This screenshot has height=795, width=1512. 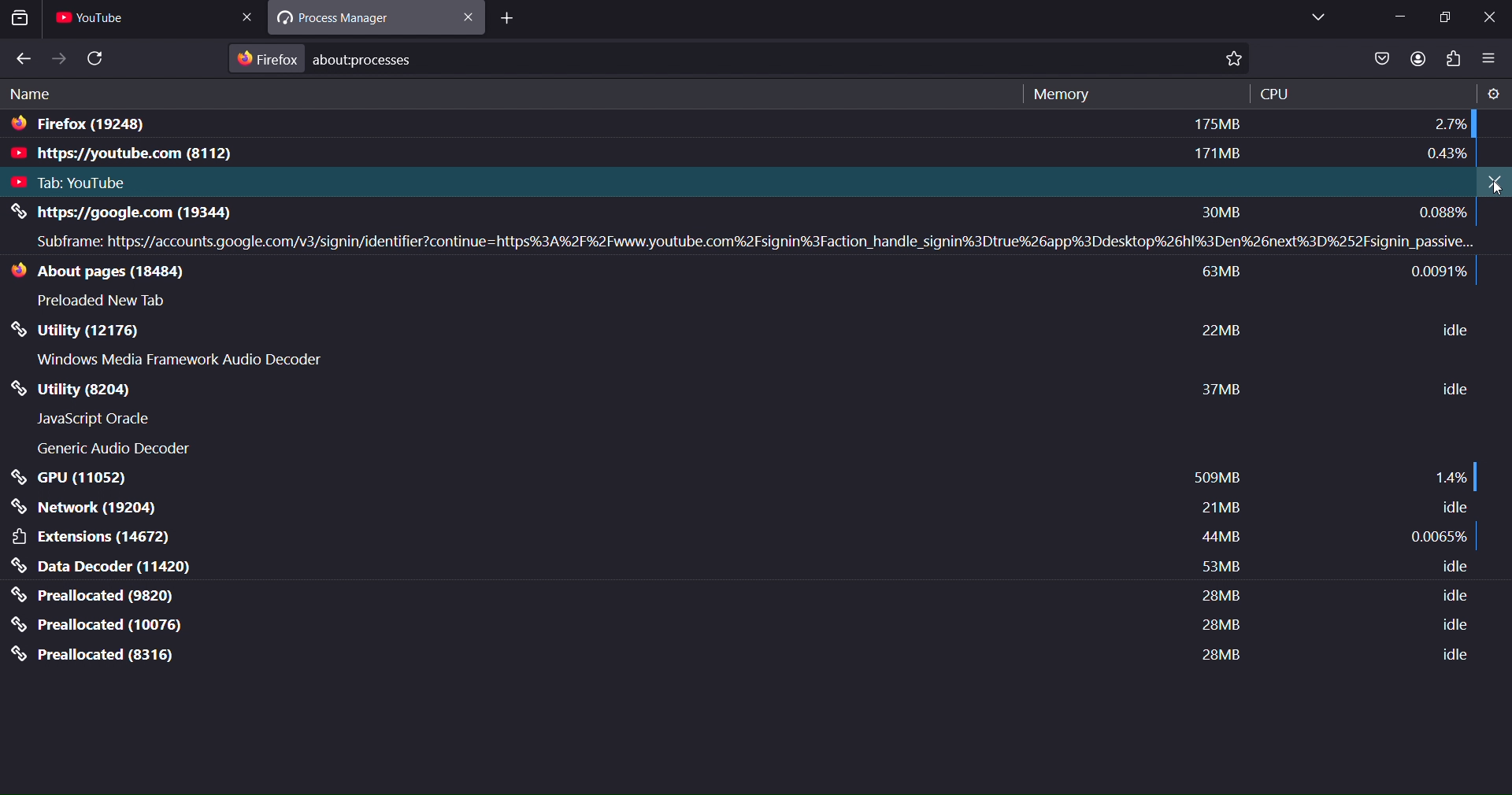 I want to click on 30 MB, so click(x=1222, y=213).